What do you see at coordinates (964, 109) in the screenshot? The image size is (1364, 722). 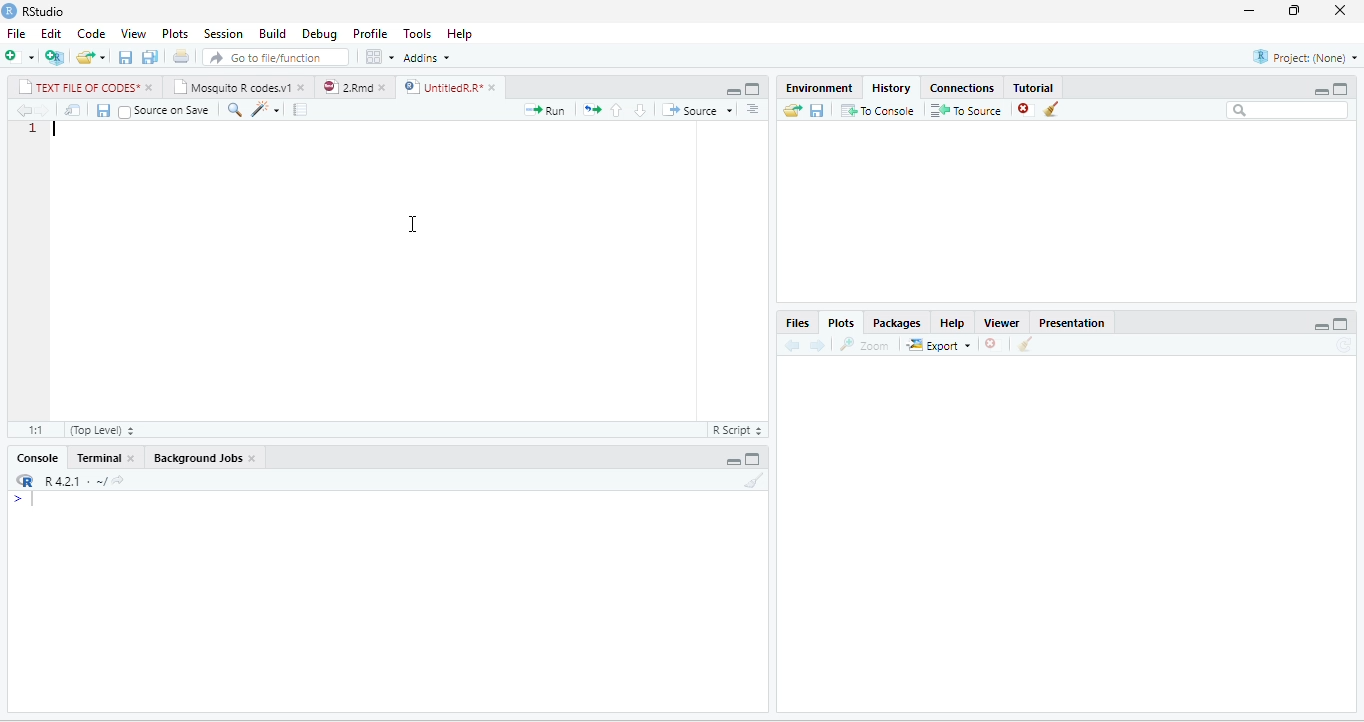 I see `To source` at bounding box center [964, 109].